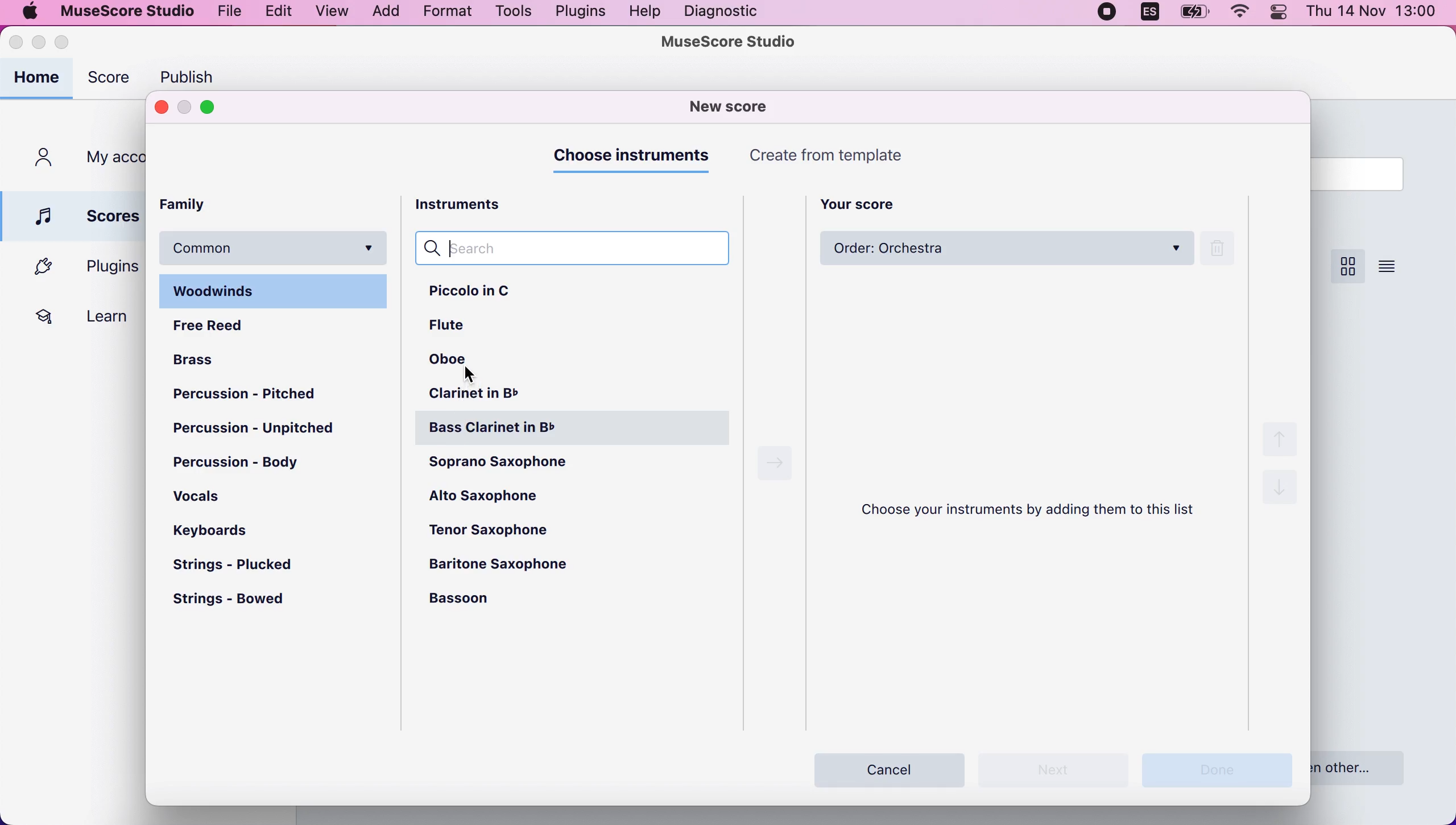  I want to click on help, so click(646, 13).